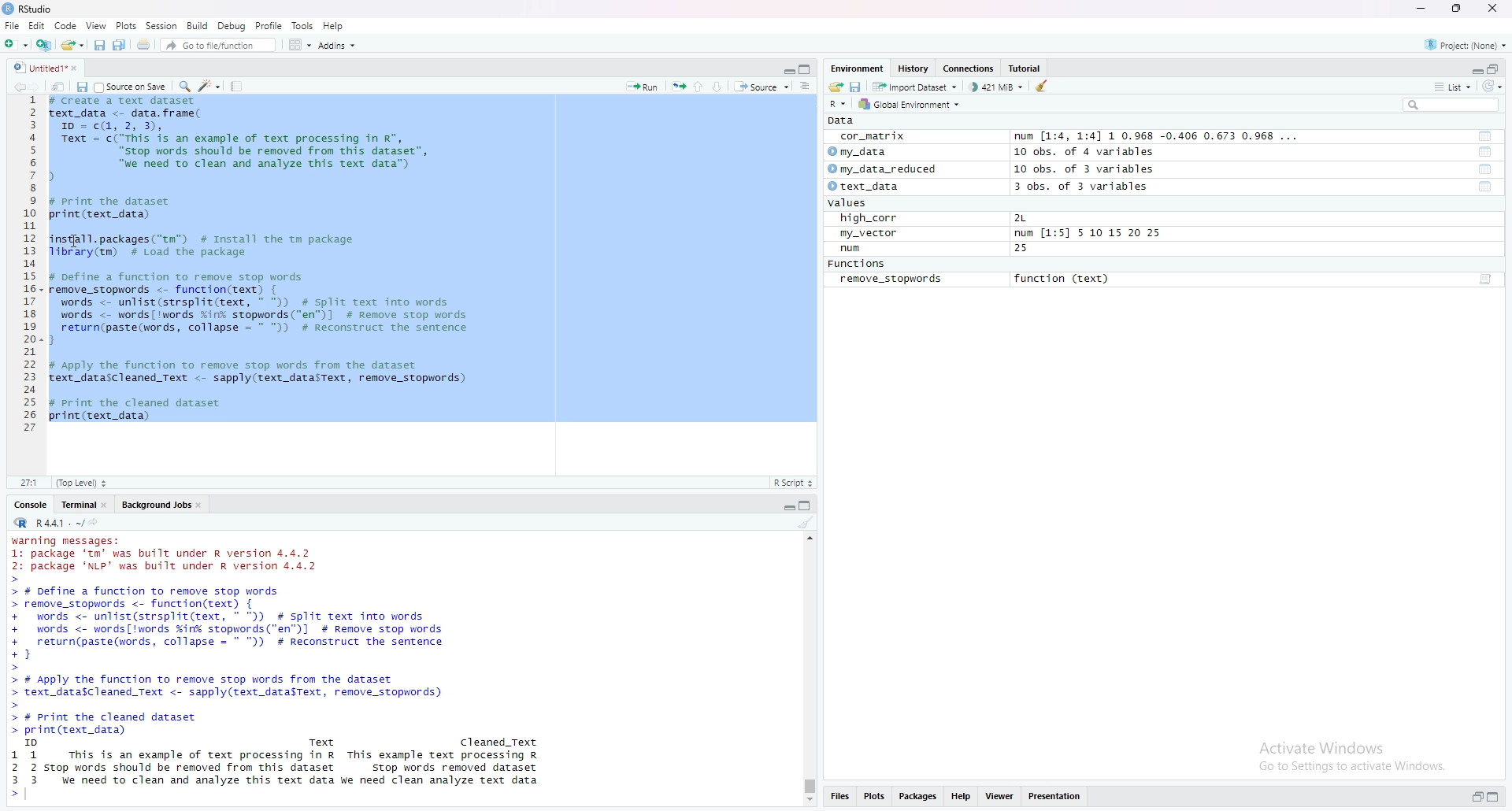 The height and width of the screenshot is (811, 1512). Describe the element at coordinates (300, 46) in the screenshot. I see `workspace panes` at that location.